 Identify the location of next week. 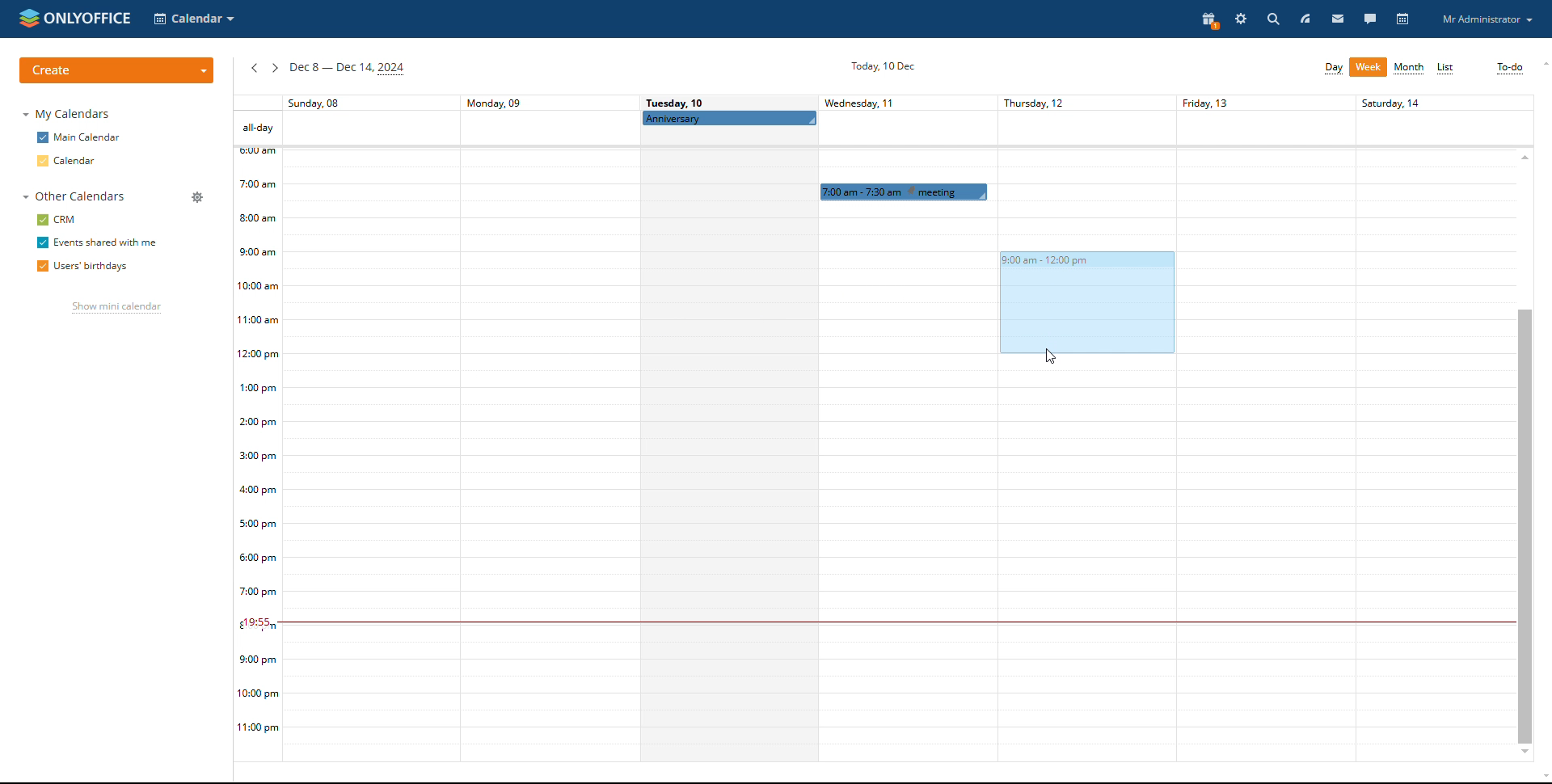
(274, 68).